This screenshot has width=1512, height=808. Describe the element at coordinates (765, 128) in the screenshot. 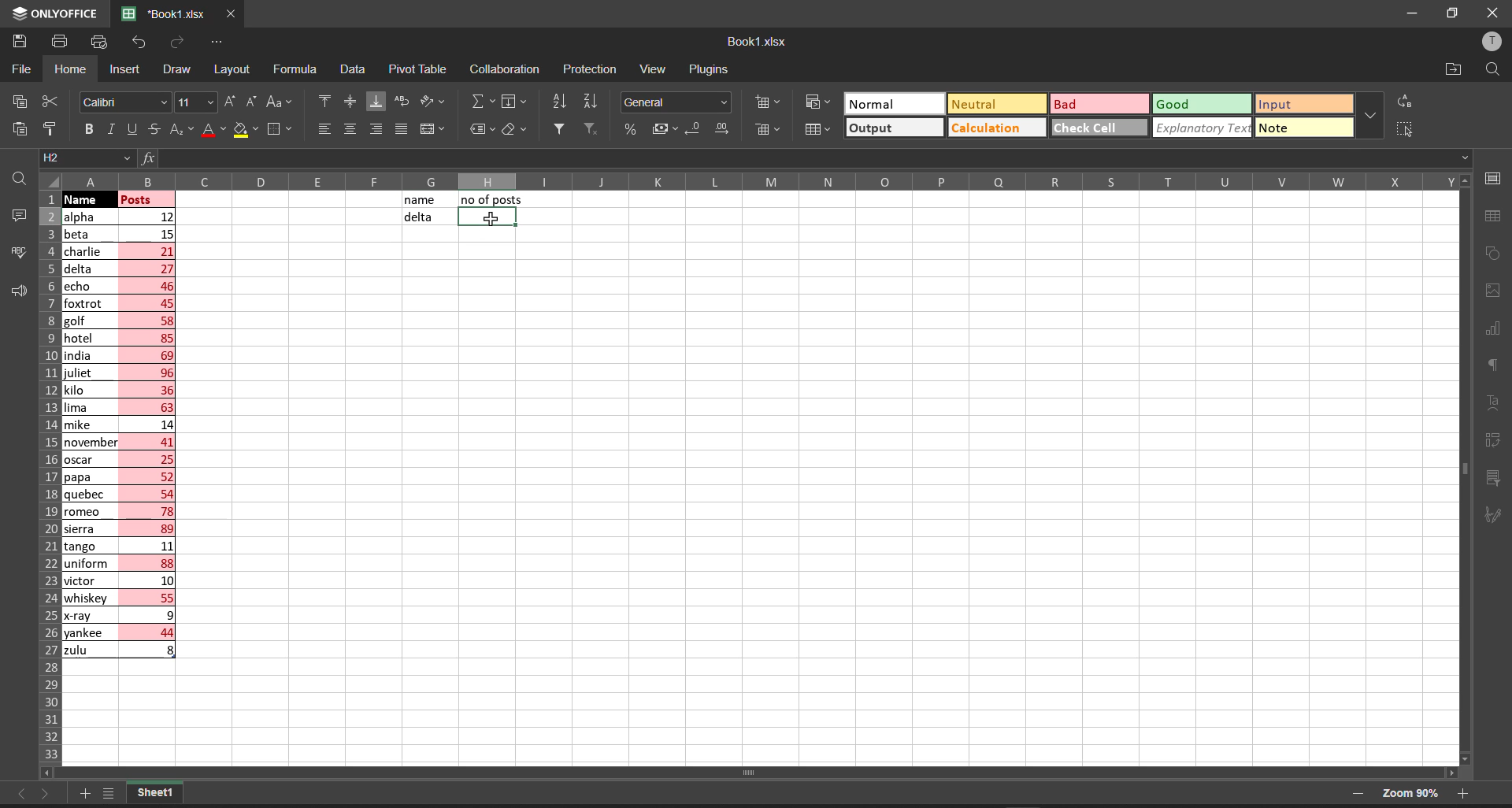

I see `delete cells` at that location.